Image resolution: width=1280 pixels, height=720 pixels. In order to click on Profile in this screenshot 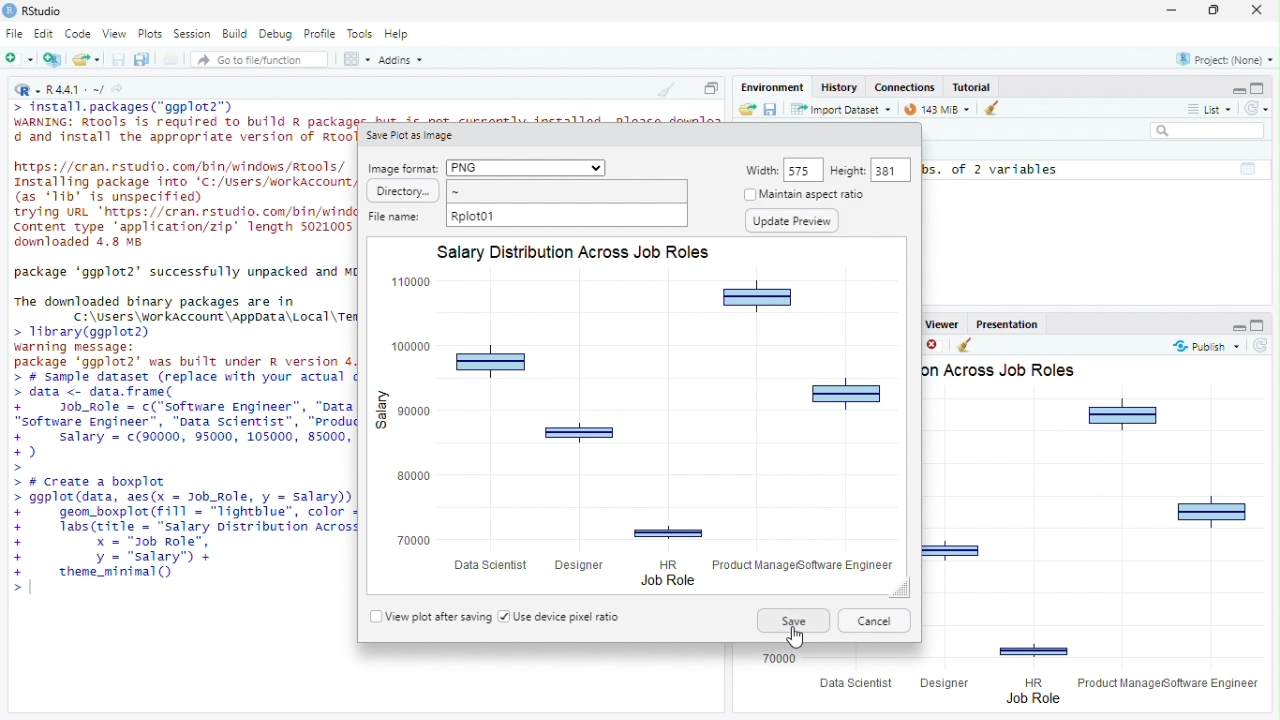, I will do `click(320, 34)`.